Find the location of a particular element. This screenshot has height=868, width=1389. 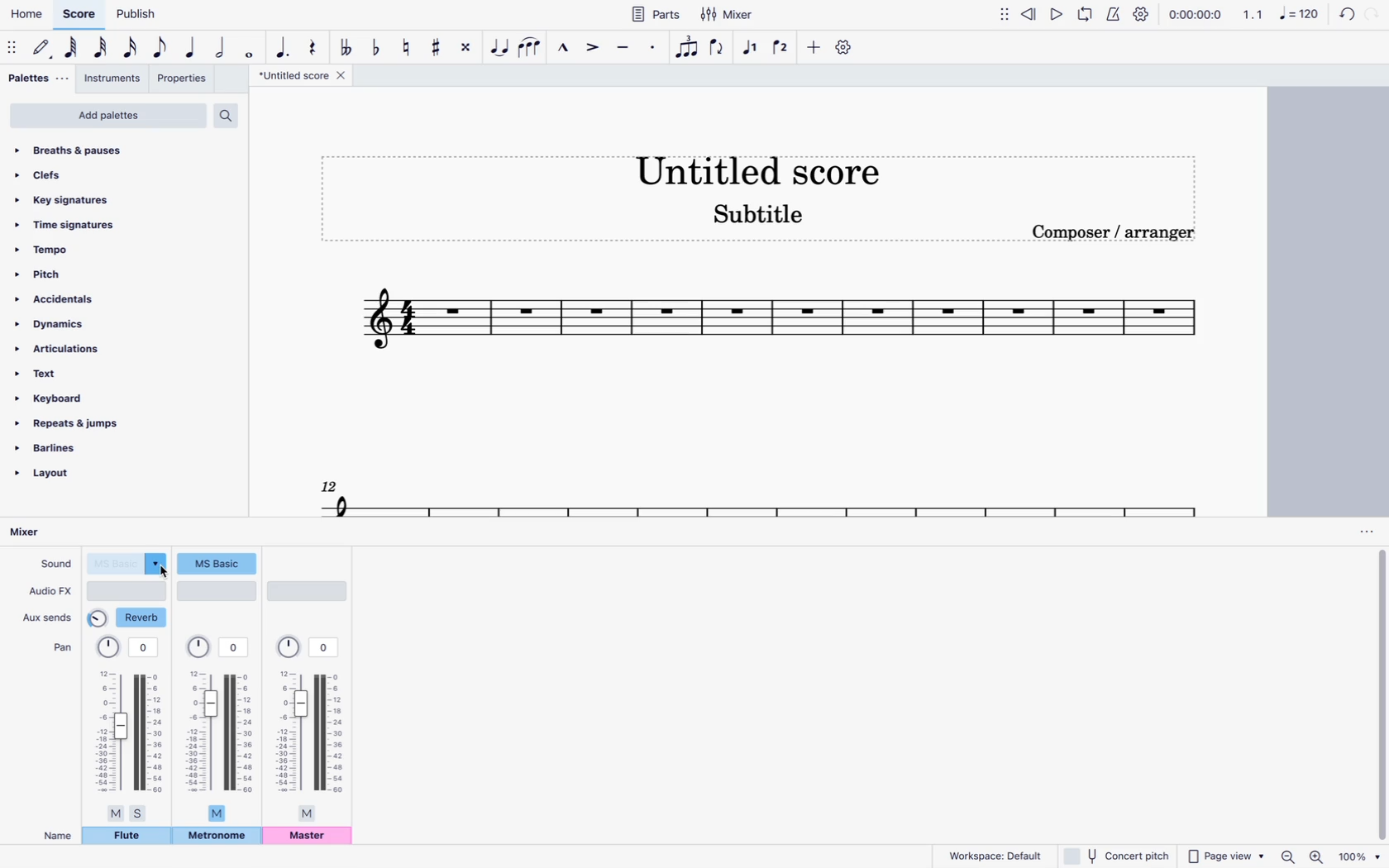

flute is located at coordinates (126, 836).